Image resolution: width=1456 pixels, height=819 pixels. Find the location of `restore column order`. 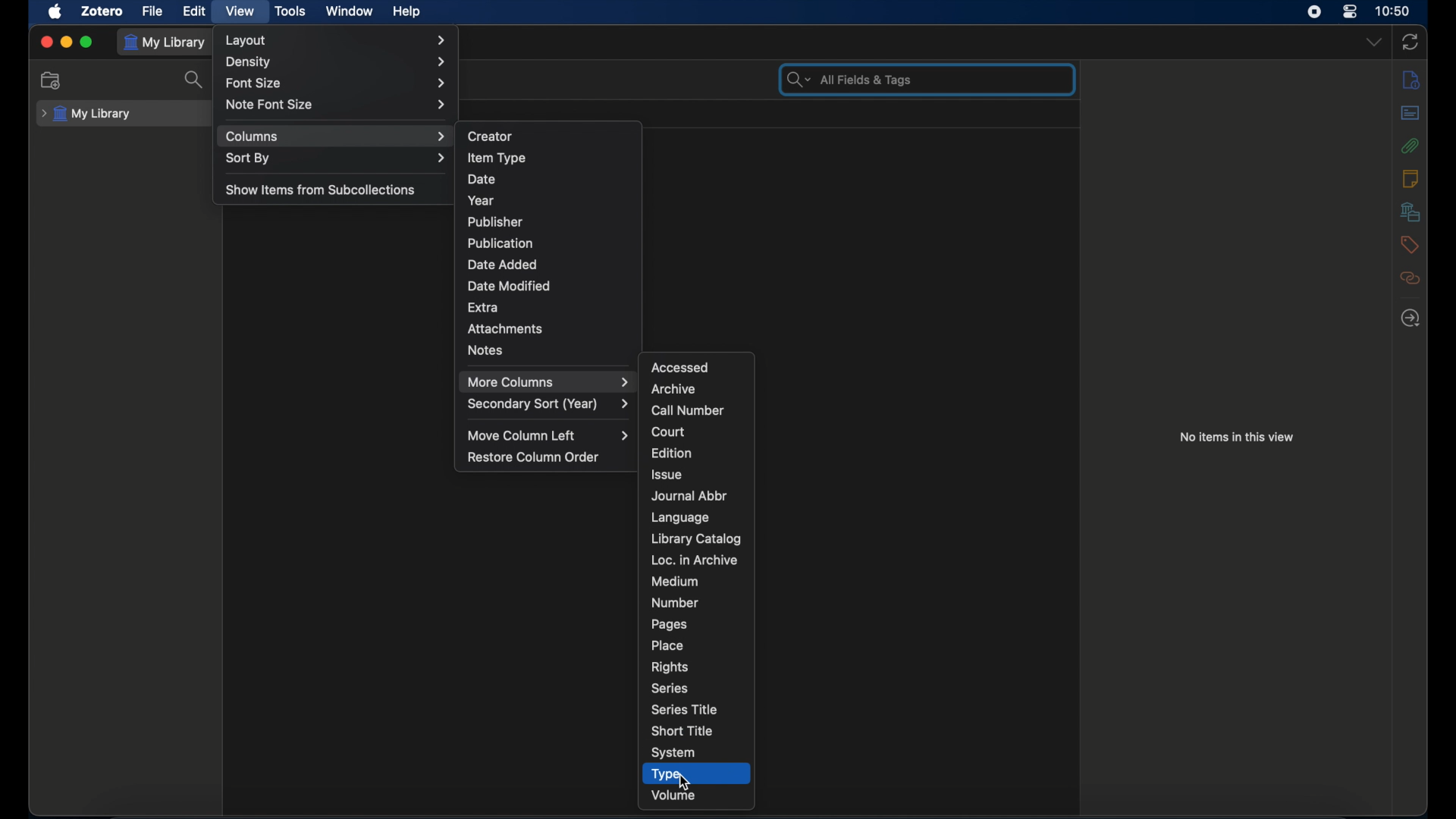

restore column order is located at coordinates (534, 457).